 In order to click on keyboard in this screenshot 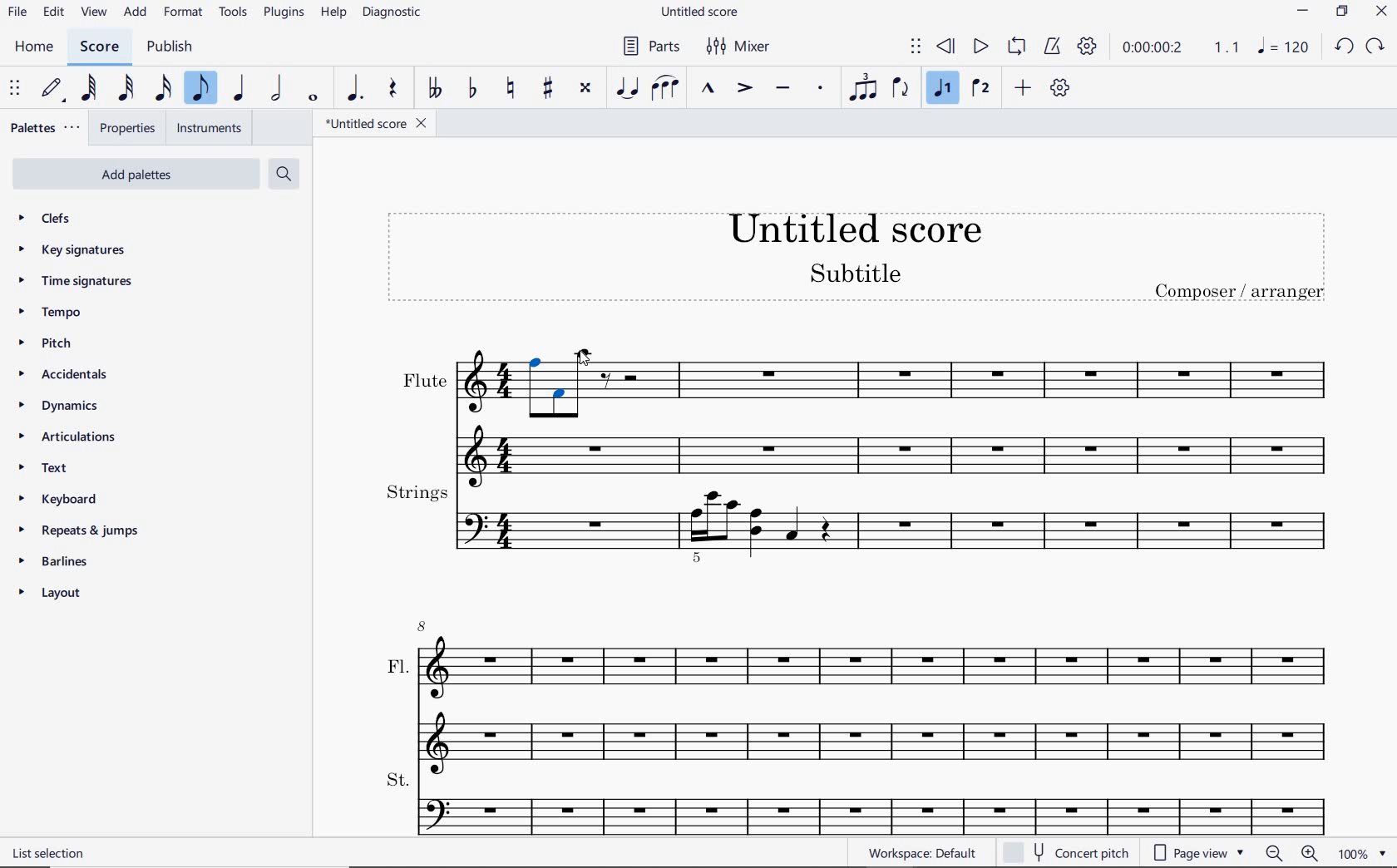, I will do `click(63, 500)`.